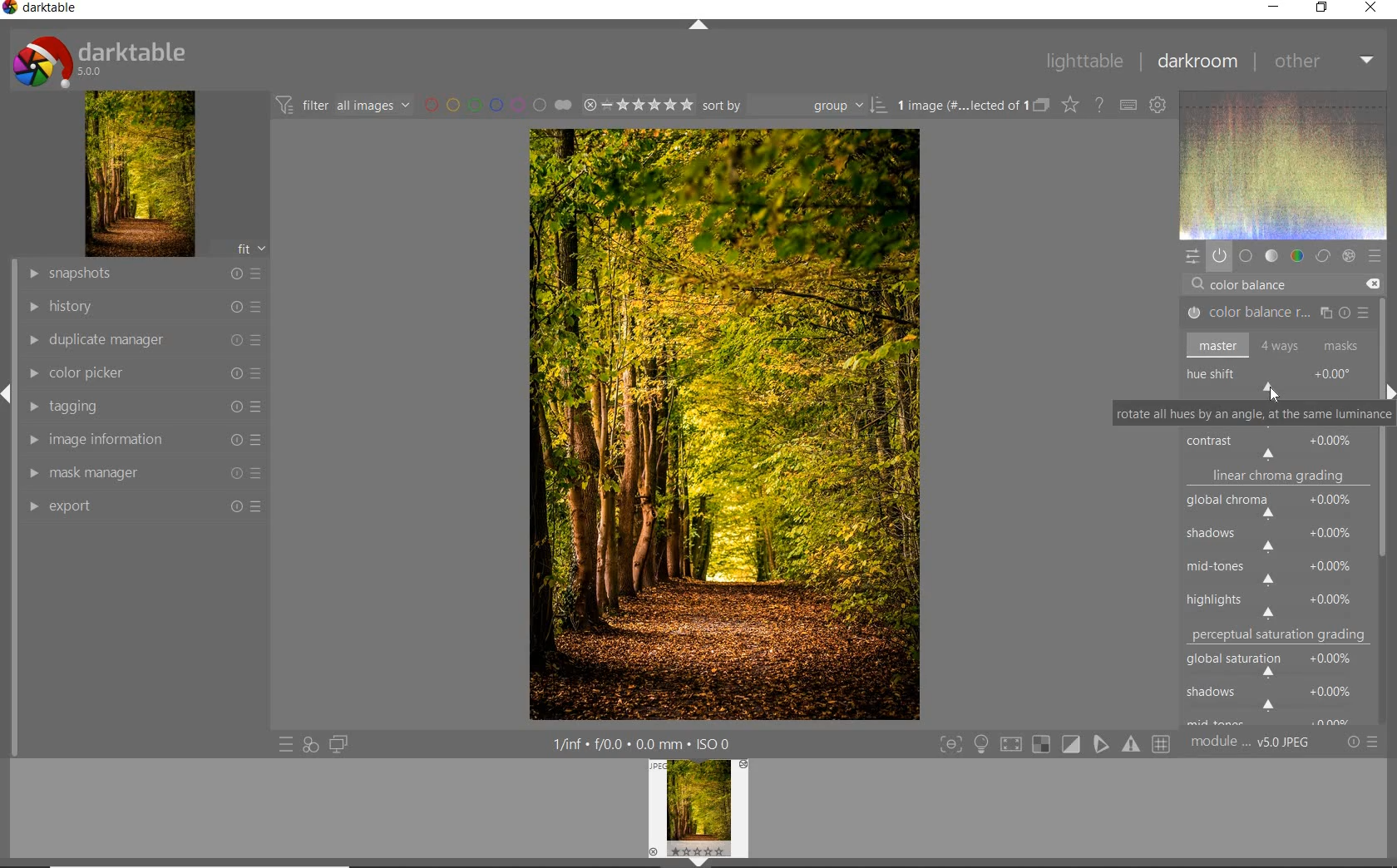 The height and width of the screenshot is (868, 1397). I want to click on system name, so click(40, 8).